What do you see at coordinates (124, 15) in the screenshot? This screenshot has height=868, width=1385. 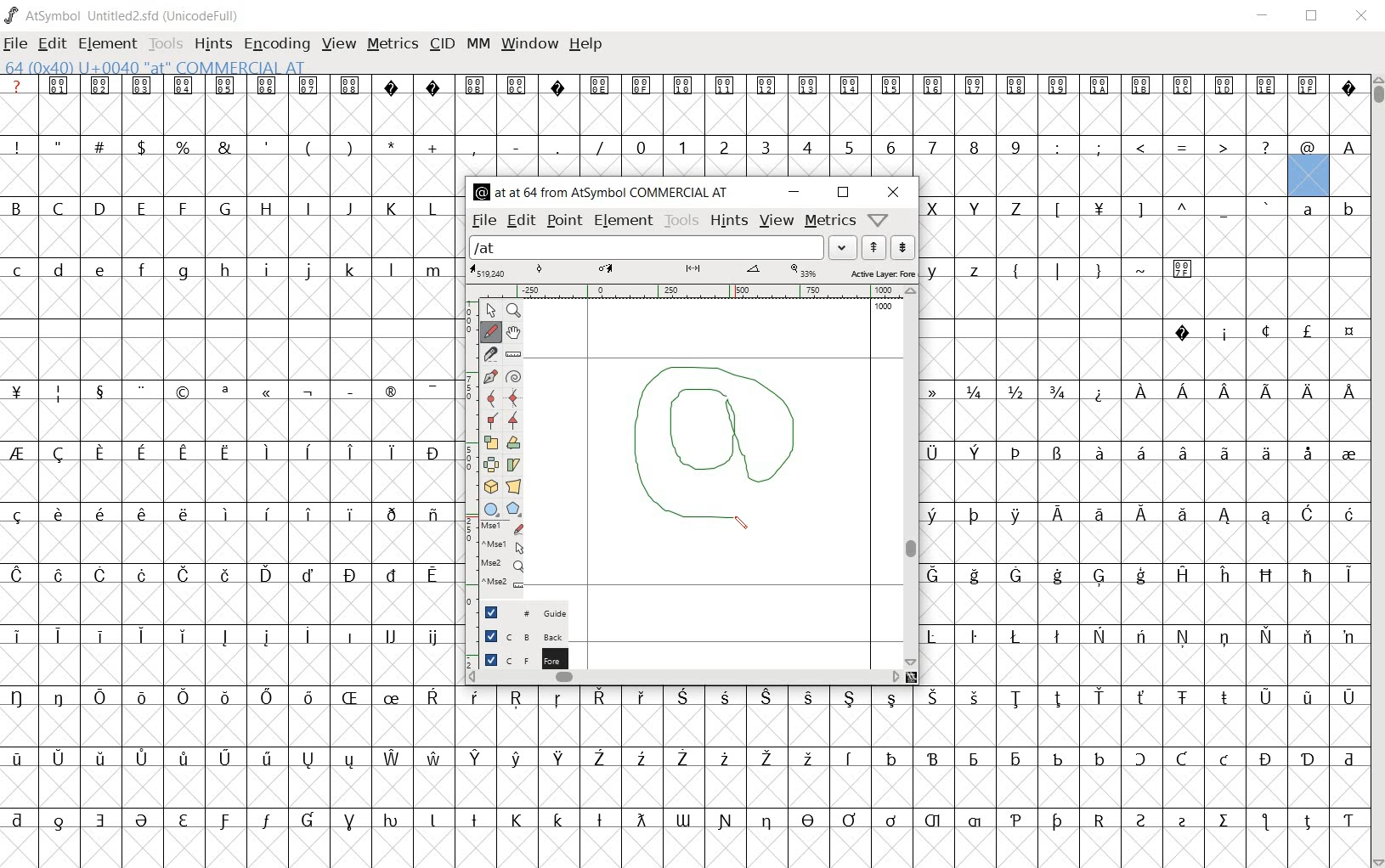 I see `FONT NAME` at bounding box center [124, 15].